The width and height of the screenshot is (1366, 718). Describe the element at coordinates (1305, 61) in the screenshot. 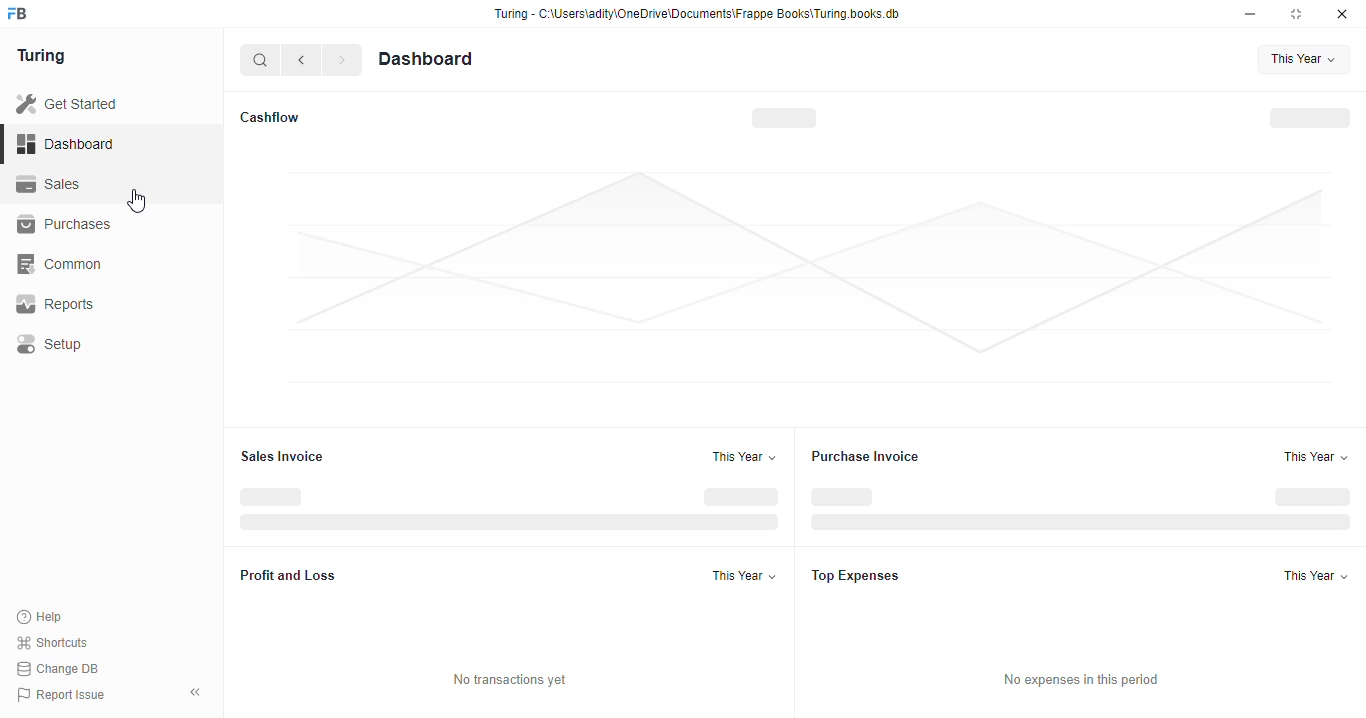

I see `This Year` at that location.